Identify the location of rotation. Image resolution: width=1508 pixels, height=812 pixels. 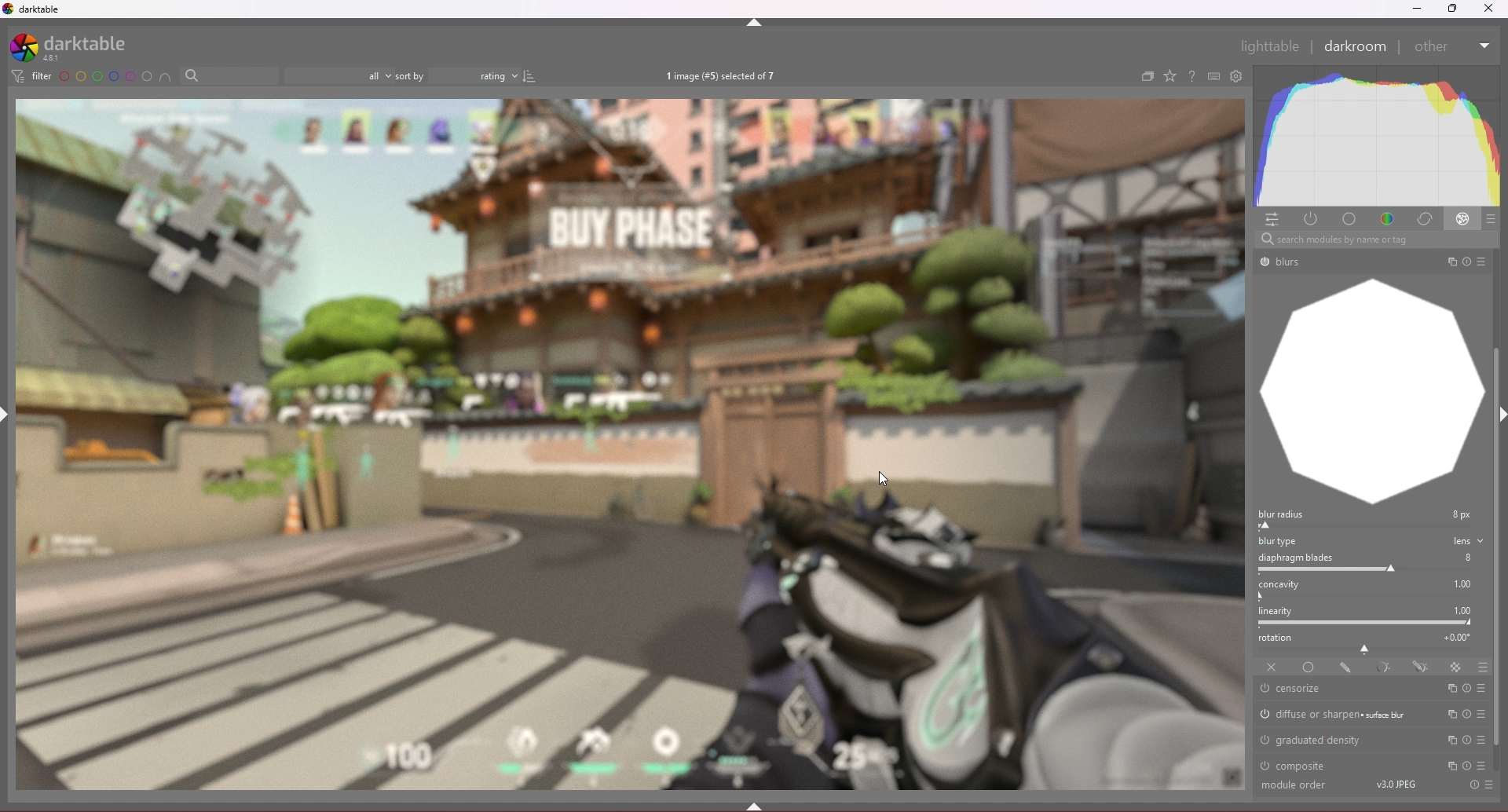
(1372, 642).